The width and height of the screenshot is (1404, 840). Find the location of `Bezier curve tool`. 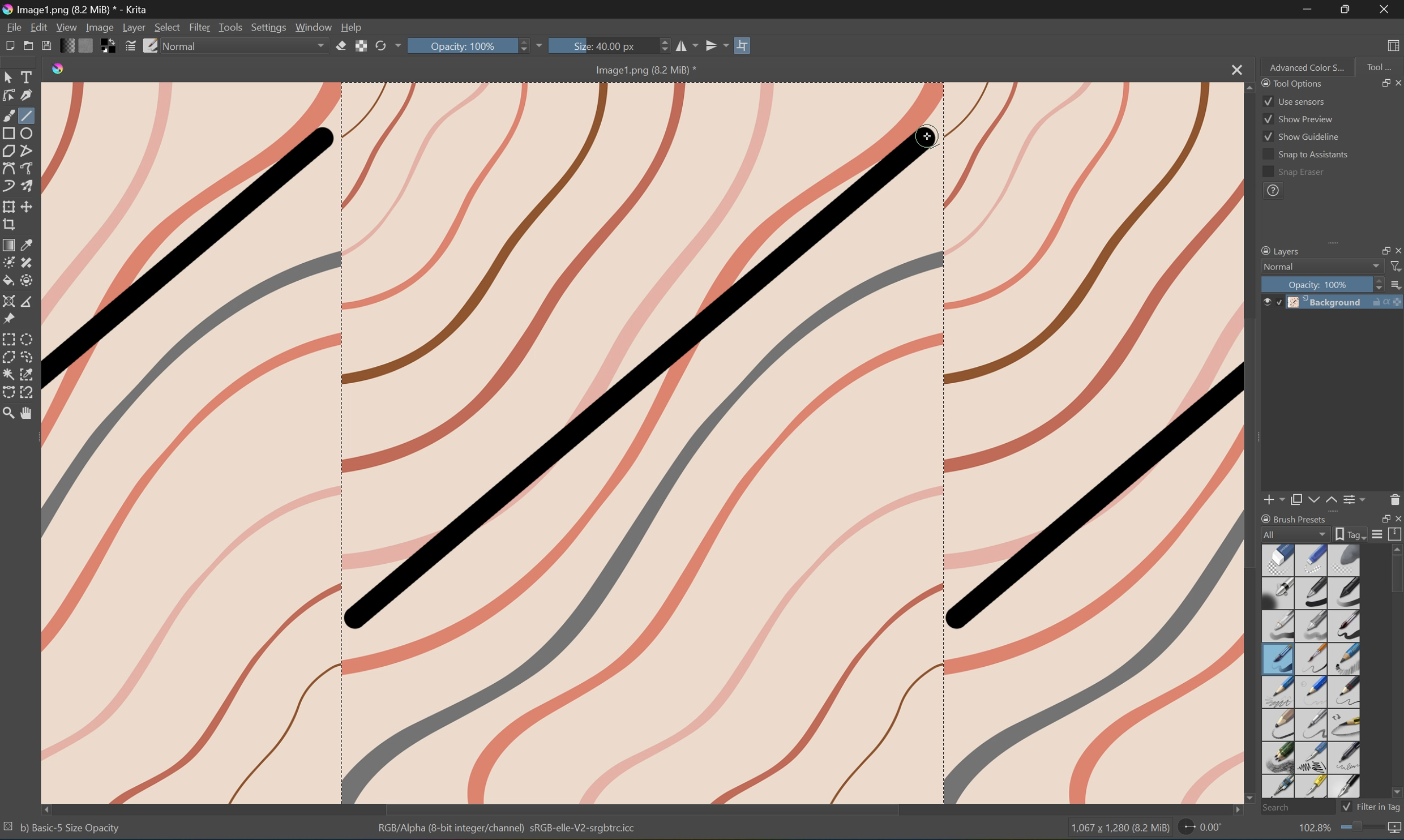

Bezier curve tool is located at coordinates (9, 168).